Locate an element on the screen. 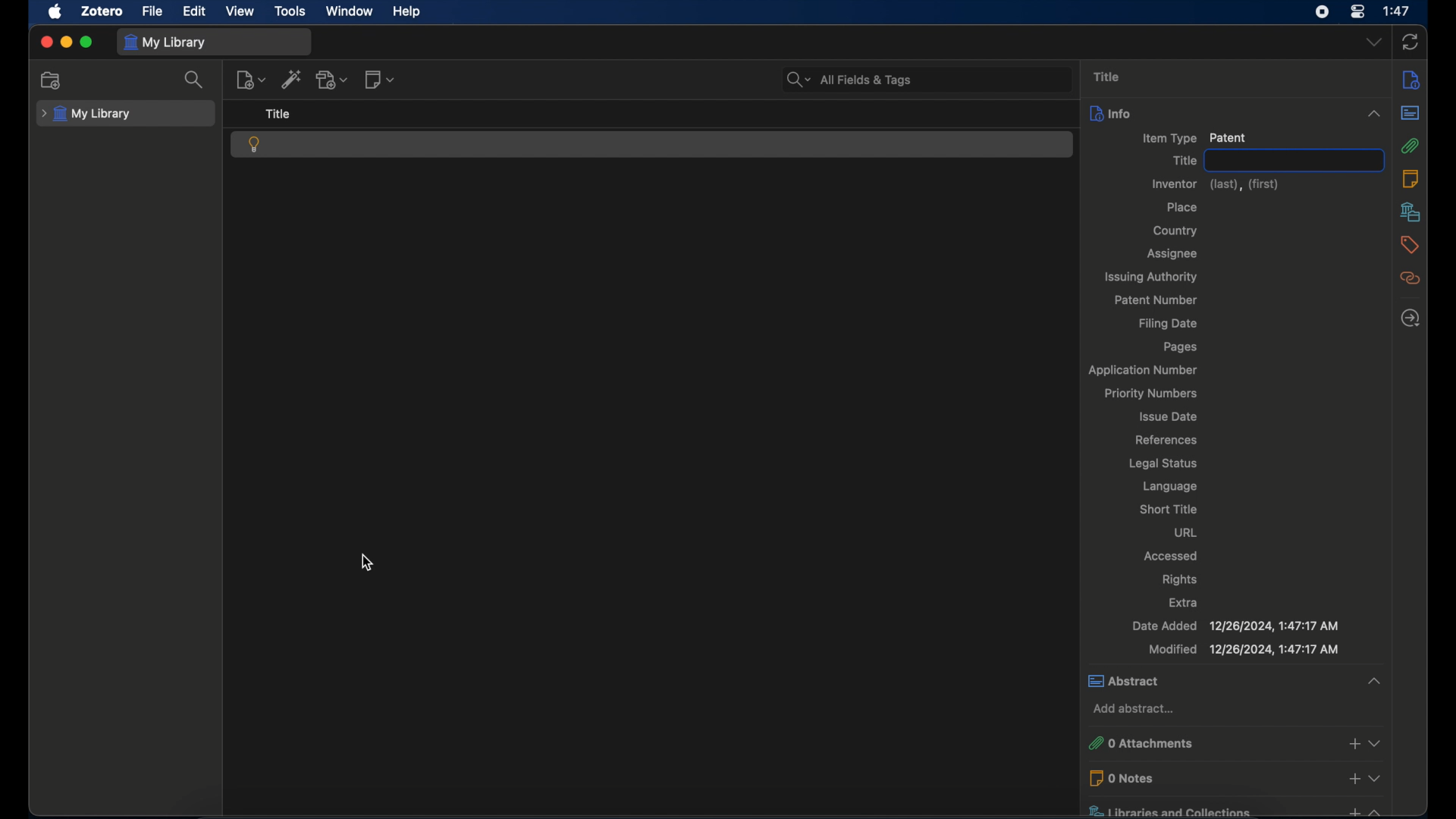  info is located at coordinates (1207, 113).